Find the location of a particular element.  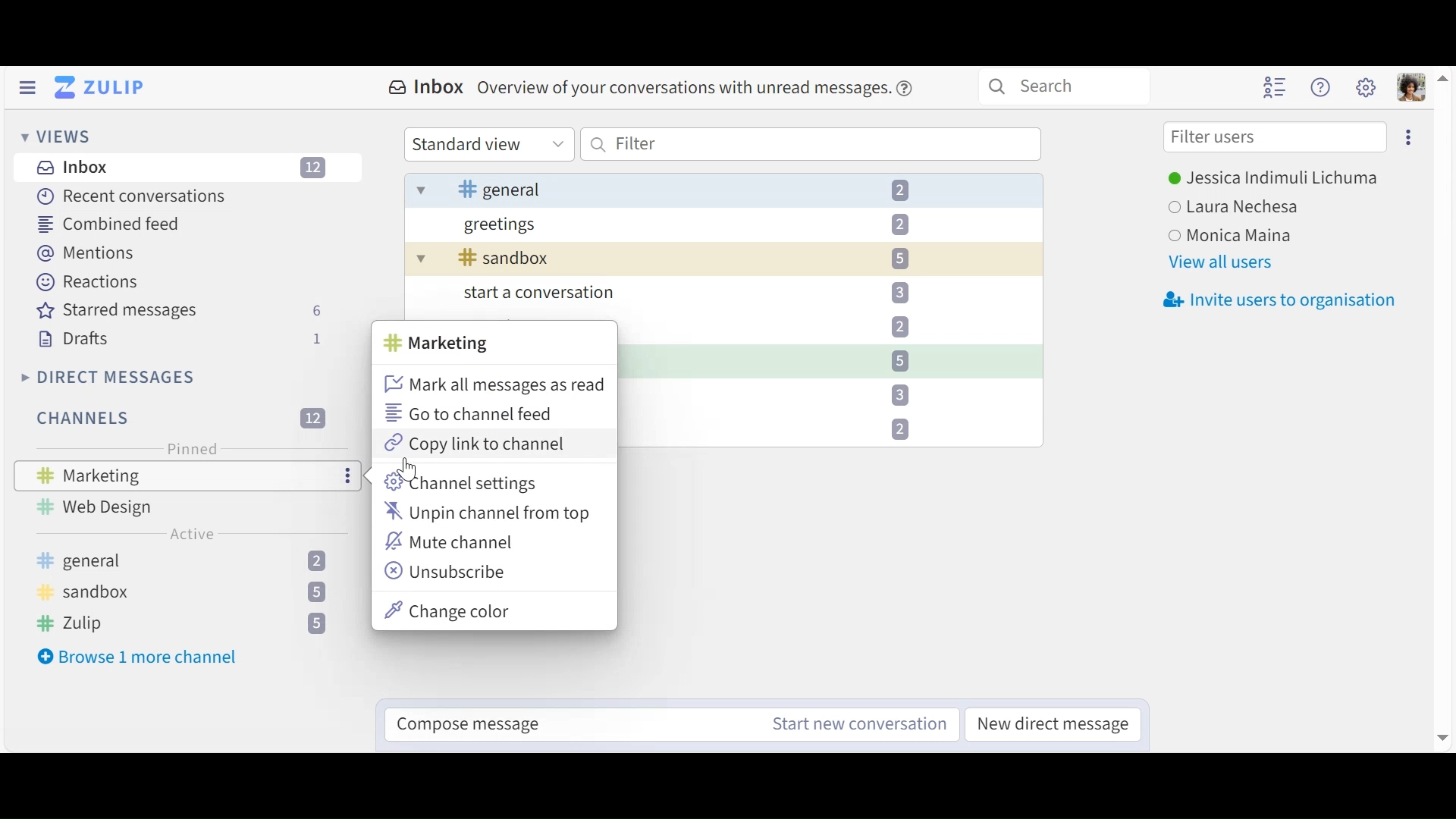

Help menu is located at coordinates (1323, 88).